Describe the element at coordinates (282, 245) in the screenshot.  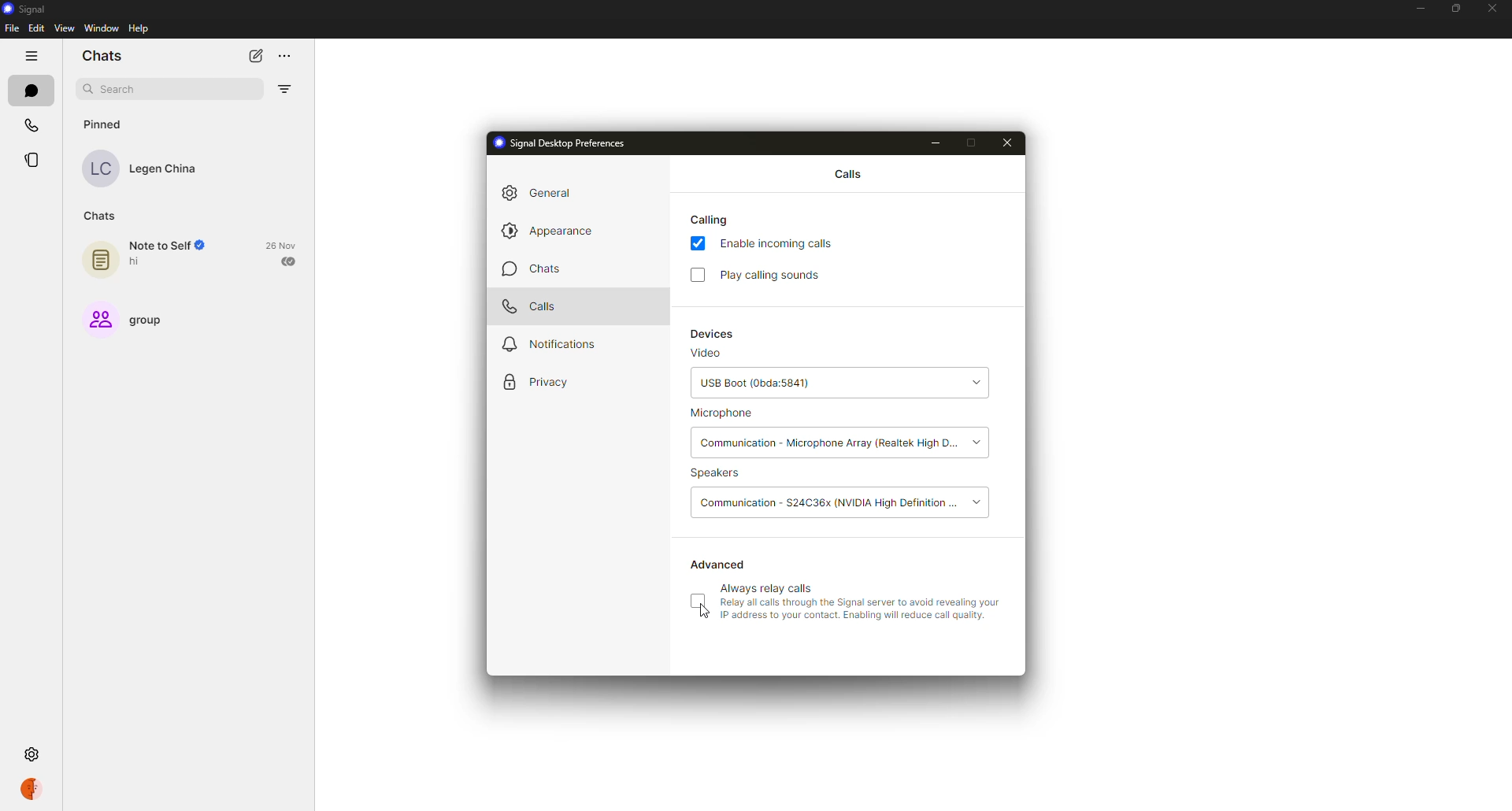
I see `28 Nov` at that location.